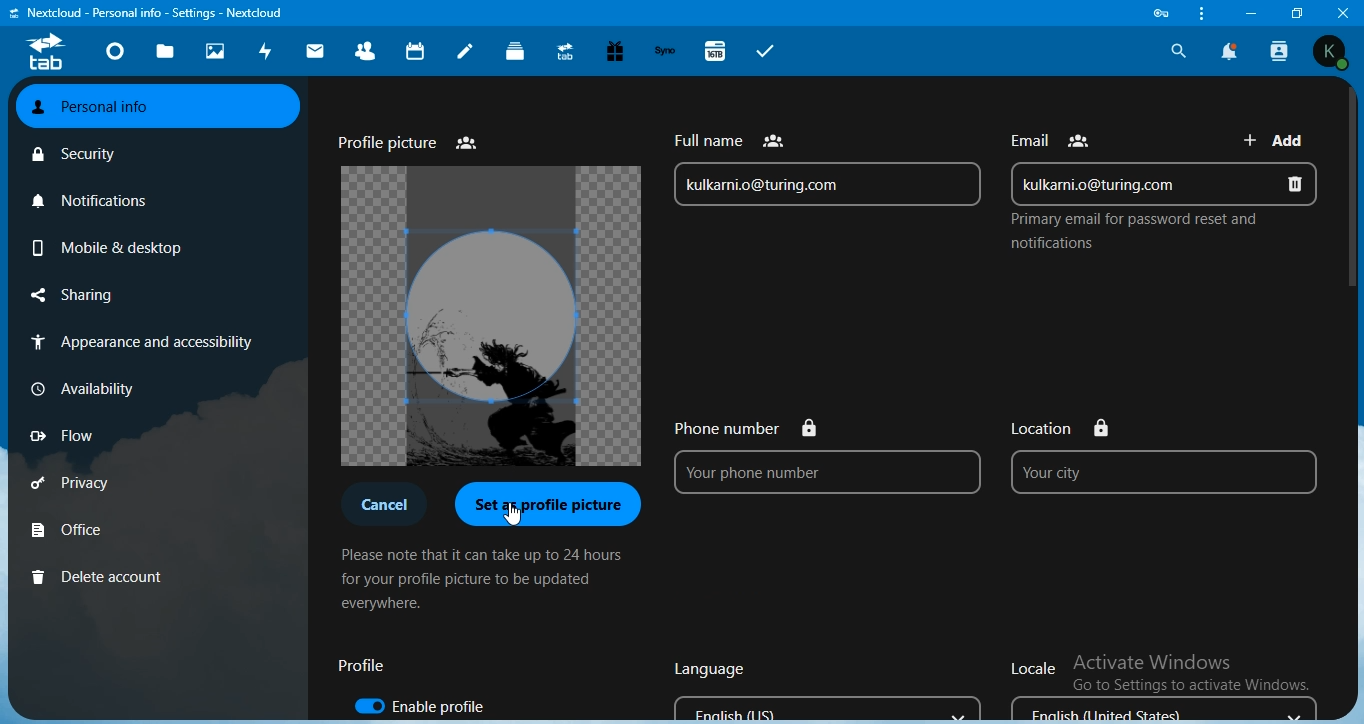 This screenshot has width=1364, height=724. Describe the element at coordinates (1166, 452) in the screenshot. I see `location` at that location.